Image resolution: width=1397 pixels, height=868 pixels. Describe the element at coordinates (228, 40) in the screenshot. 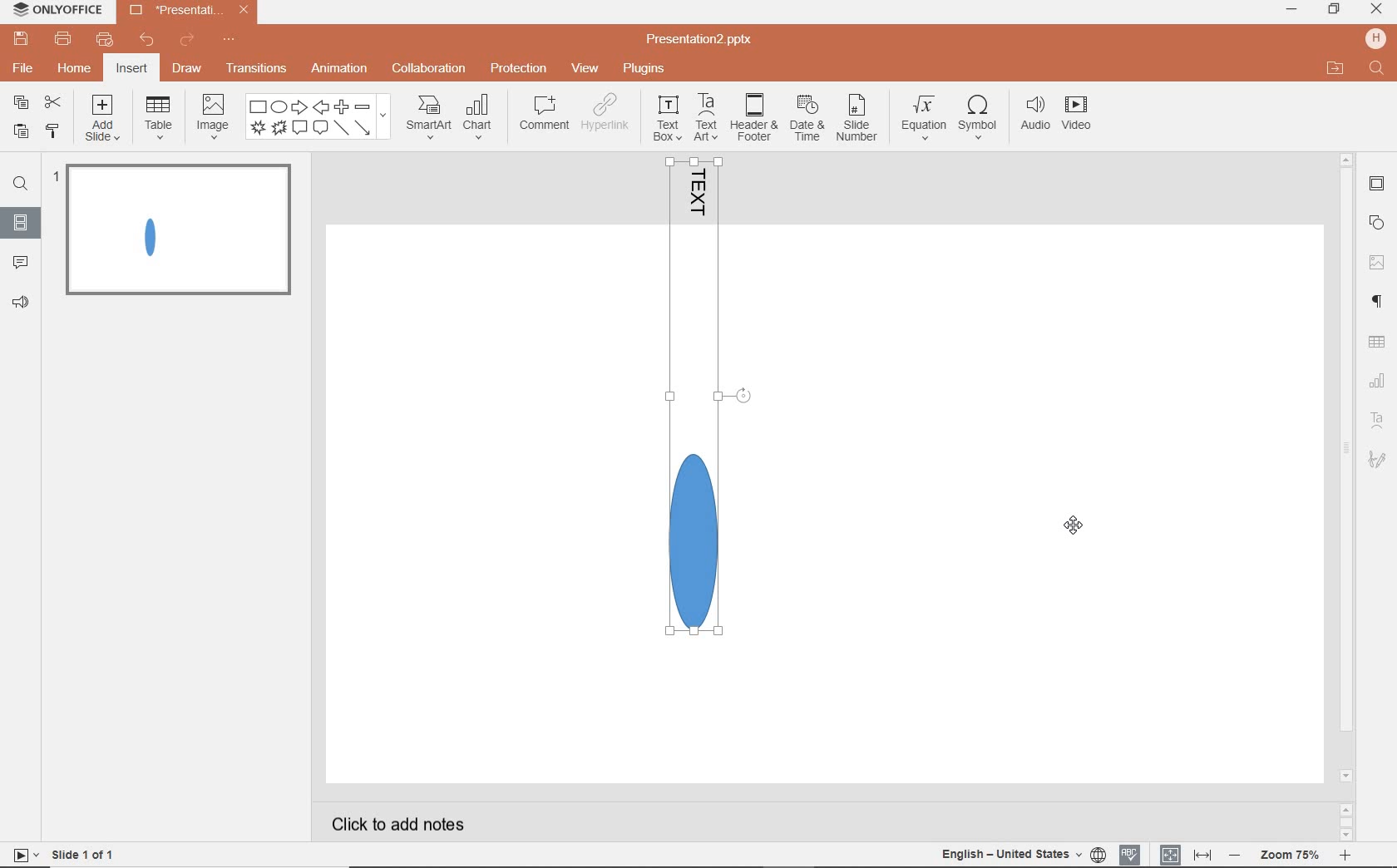

I see `customize quick access toolbar` at that location.